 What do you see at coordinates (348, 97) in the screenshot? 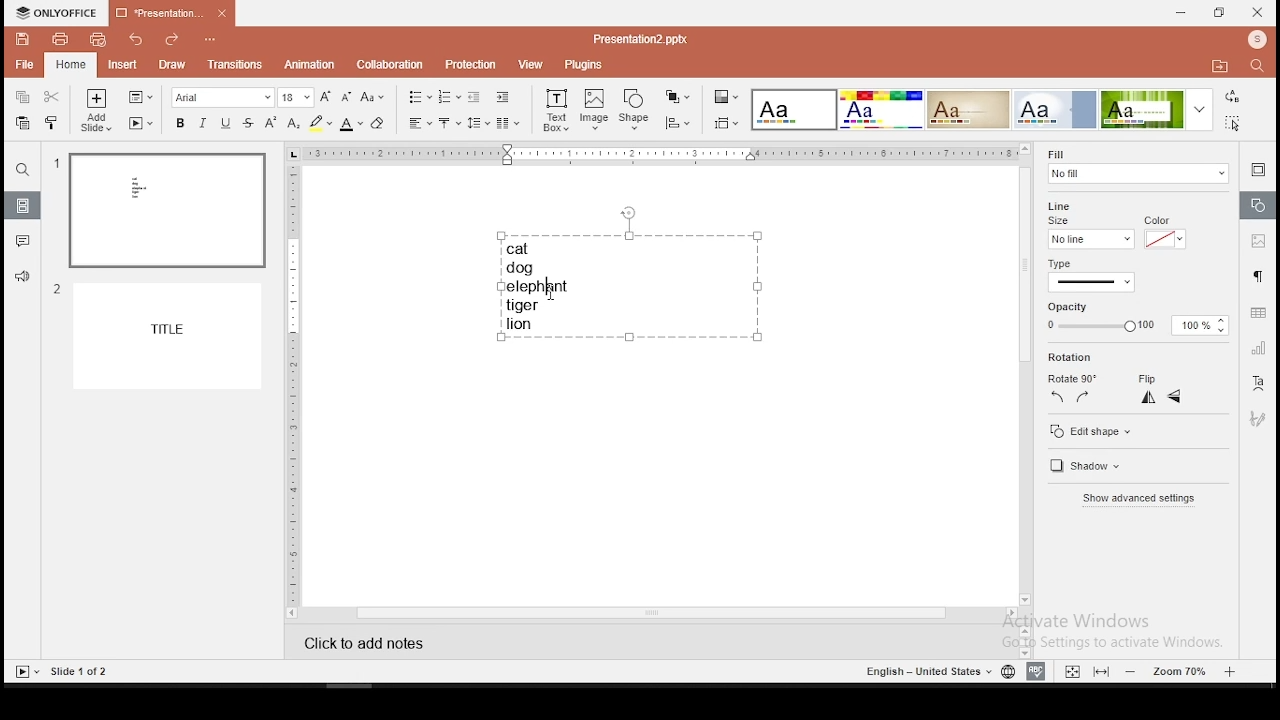
I see `decrease font size` at bounding box center [348, 97].